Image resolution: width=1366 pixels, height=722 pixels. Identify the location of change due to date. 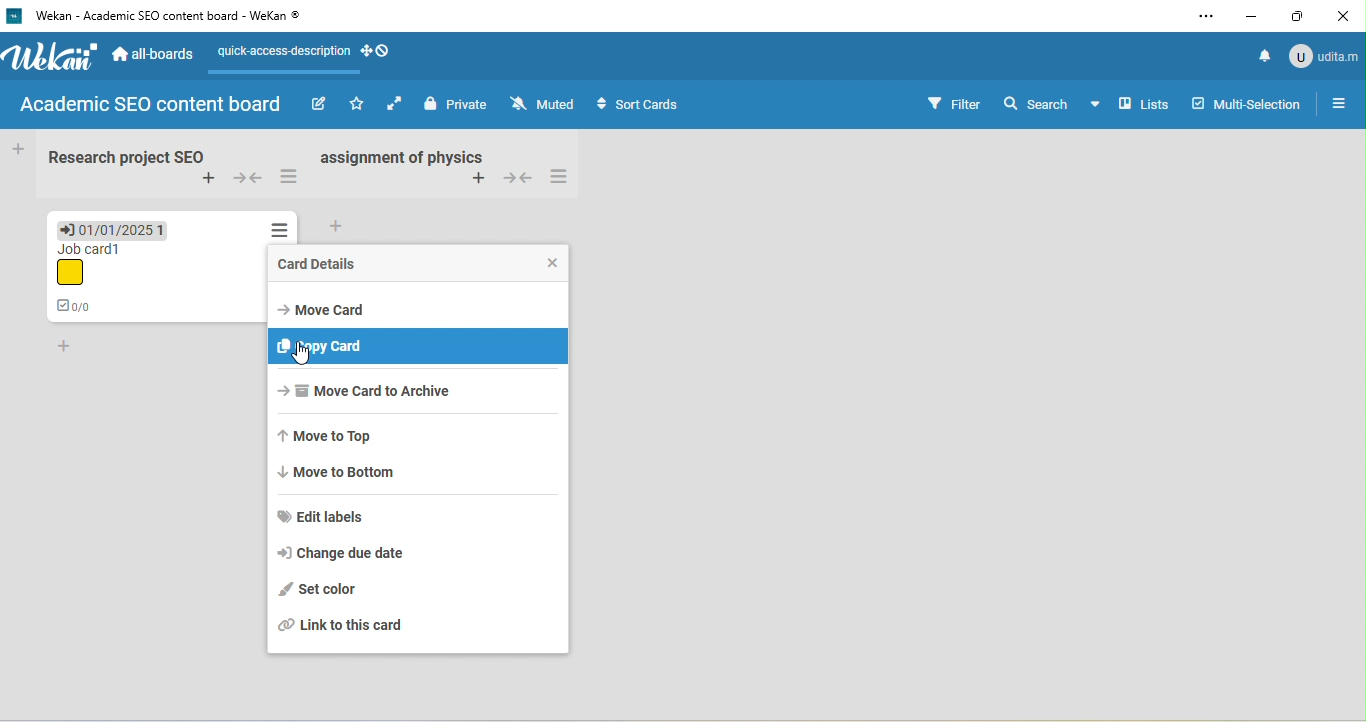
(351, 553).